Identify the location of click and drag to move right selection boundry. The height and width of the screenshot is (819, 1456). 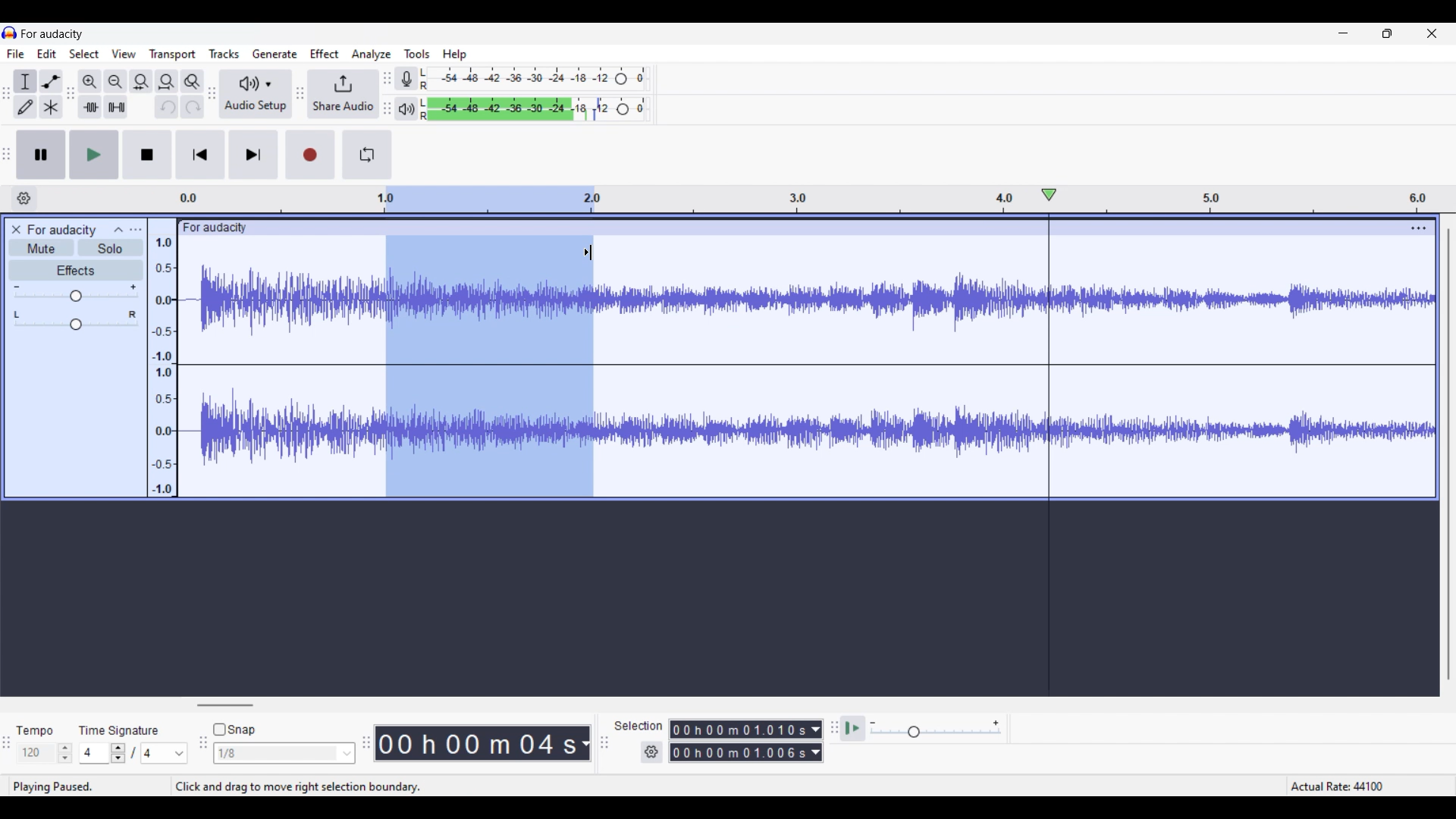
(298, 782).